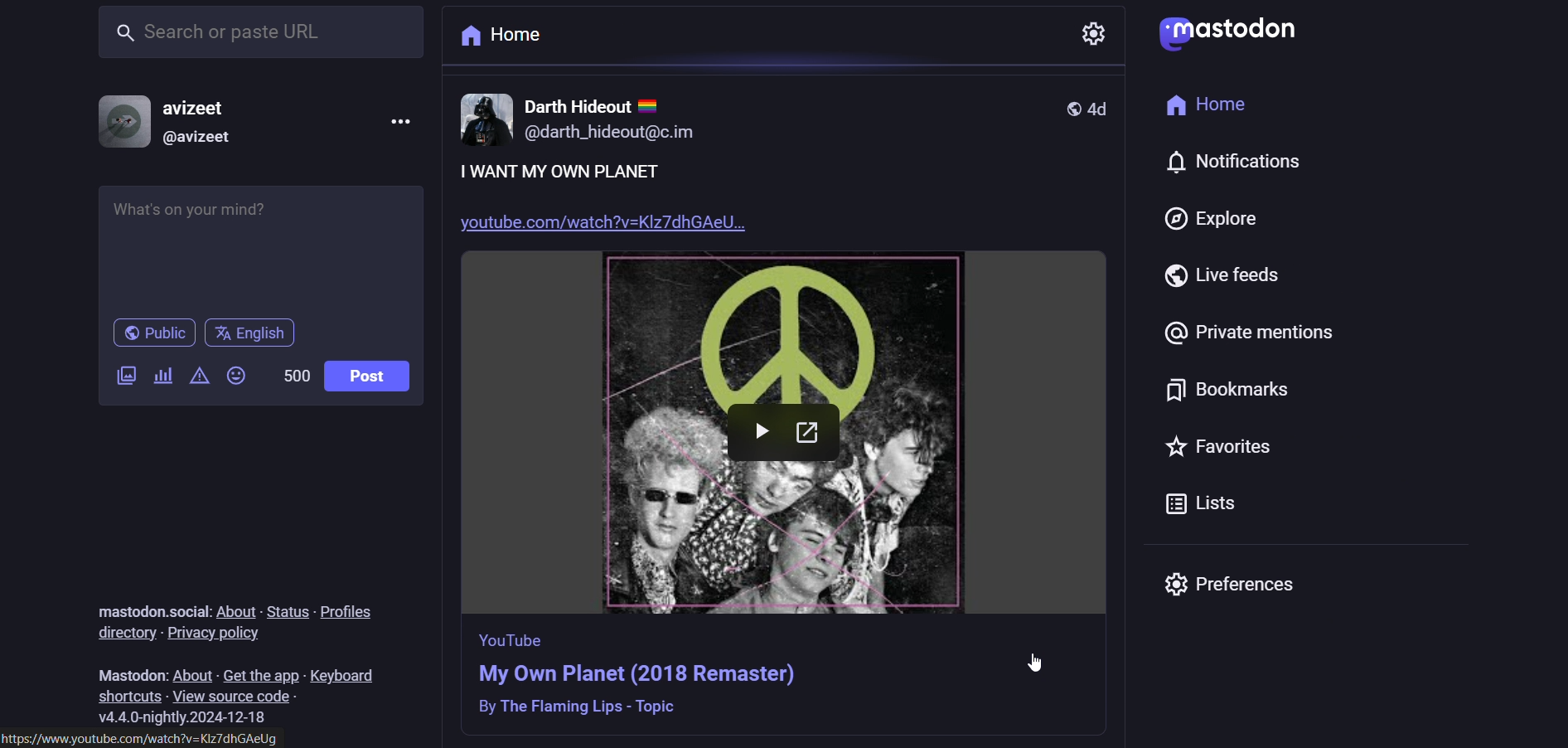 Image resolution: width=1568 pixels, height=748 pixels. What do you see at coordinates (141, 605) in the screenshot?
I see `text` at bounding box center [141, 605].